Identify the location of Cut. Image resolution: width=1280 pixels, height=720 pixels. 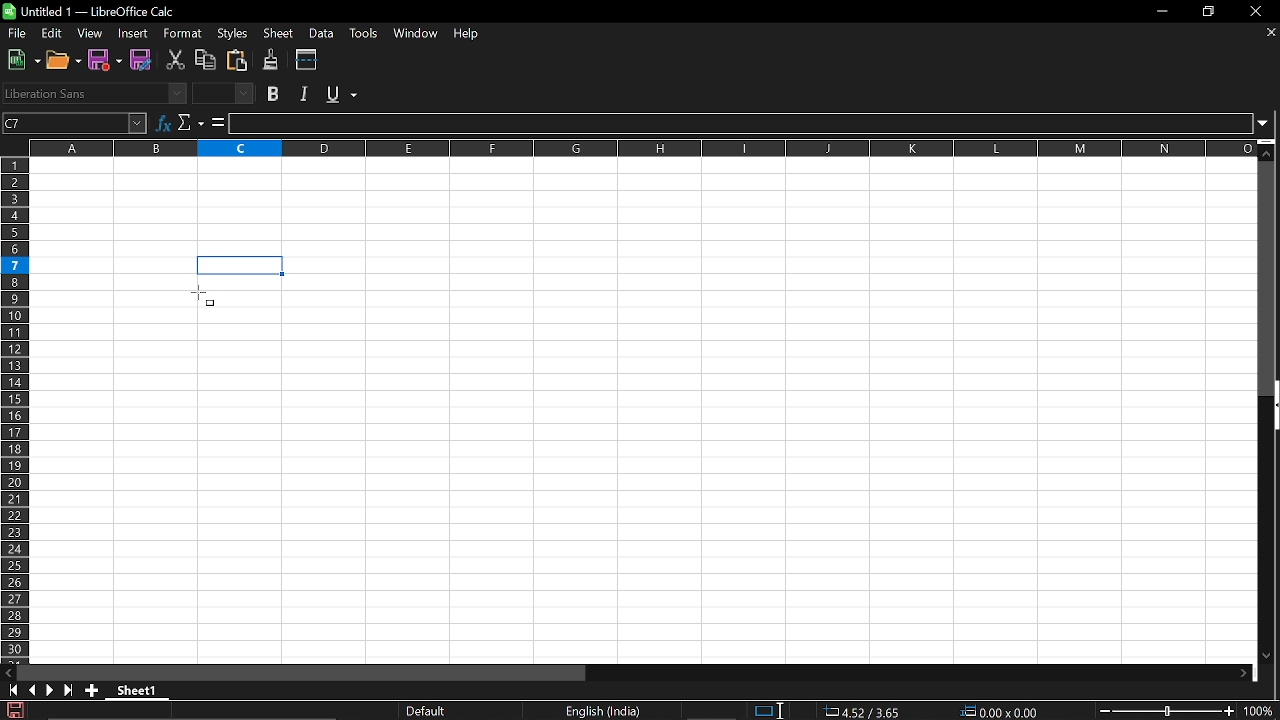
(175, 60).